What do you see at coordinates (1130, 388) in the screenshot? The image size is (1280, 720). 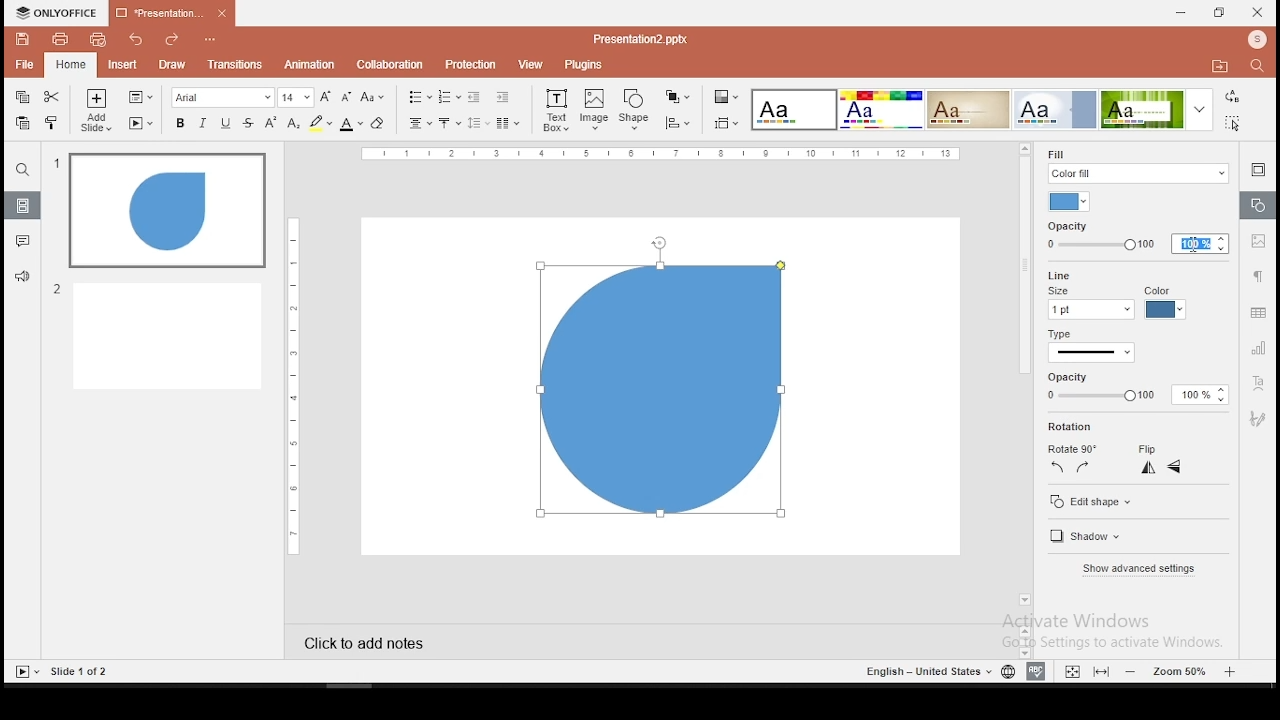 I see `opacity` at bounding box center [1130, 388].